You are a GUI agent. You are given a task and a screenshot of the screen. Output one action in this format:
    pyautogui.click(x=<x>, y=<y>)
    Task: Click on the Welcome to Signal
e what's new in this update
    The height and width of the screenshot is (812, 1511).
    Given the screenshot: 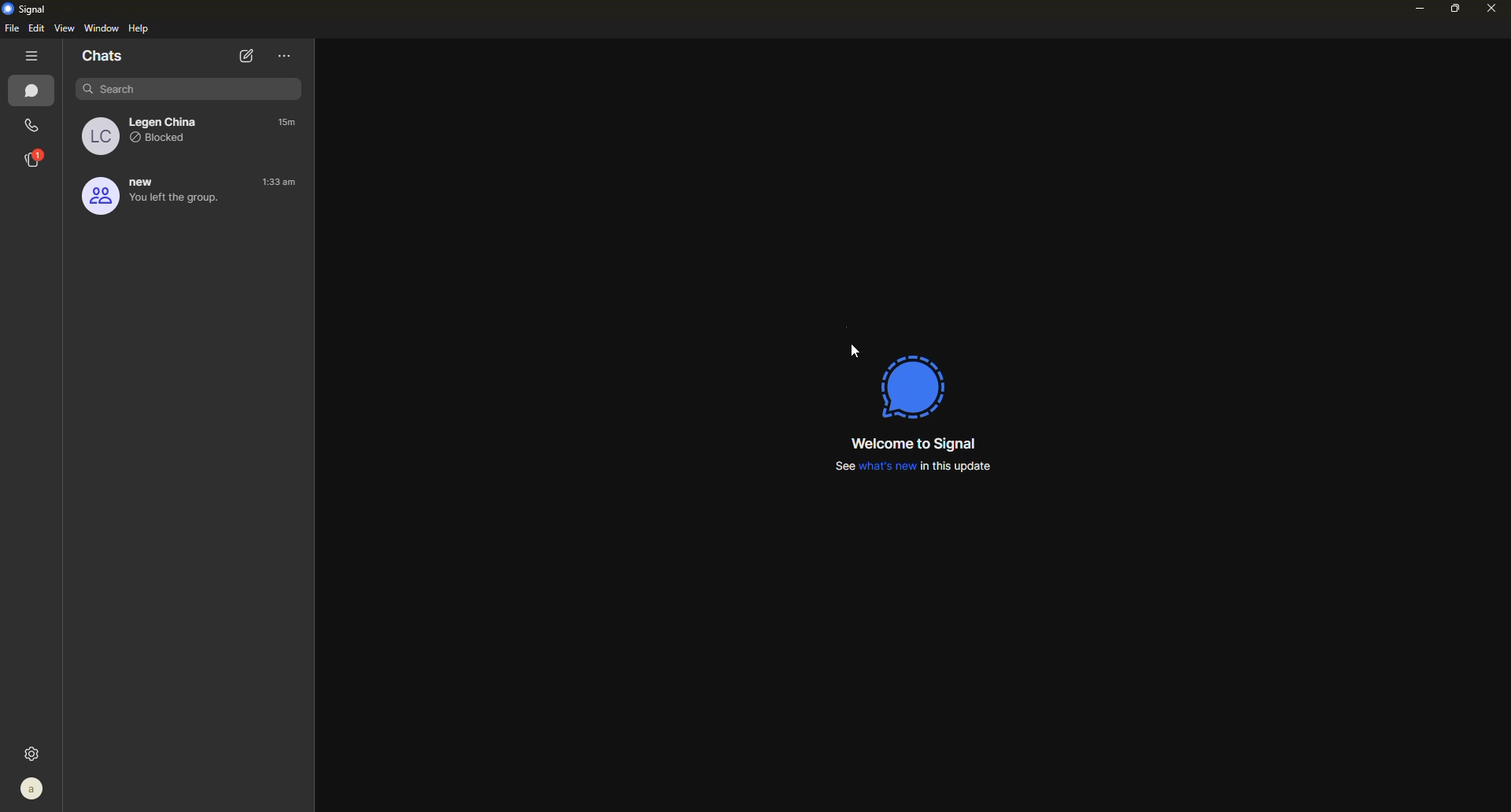 What is the action you would take?
    pyautogui.click(x=907, y=452)
    